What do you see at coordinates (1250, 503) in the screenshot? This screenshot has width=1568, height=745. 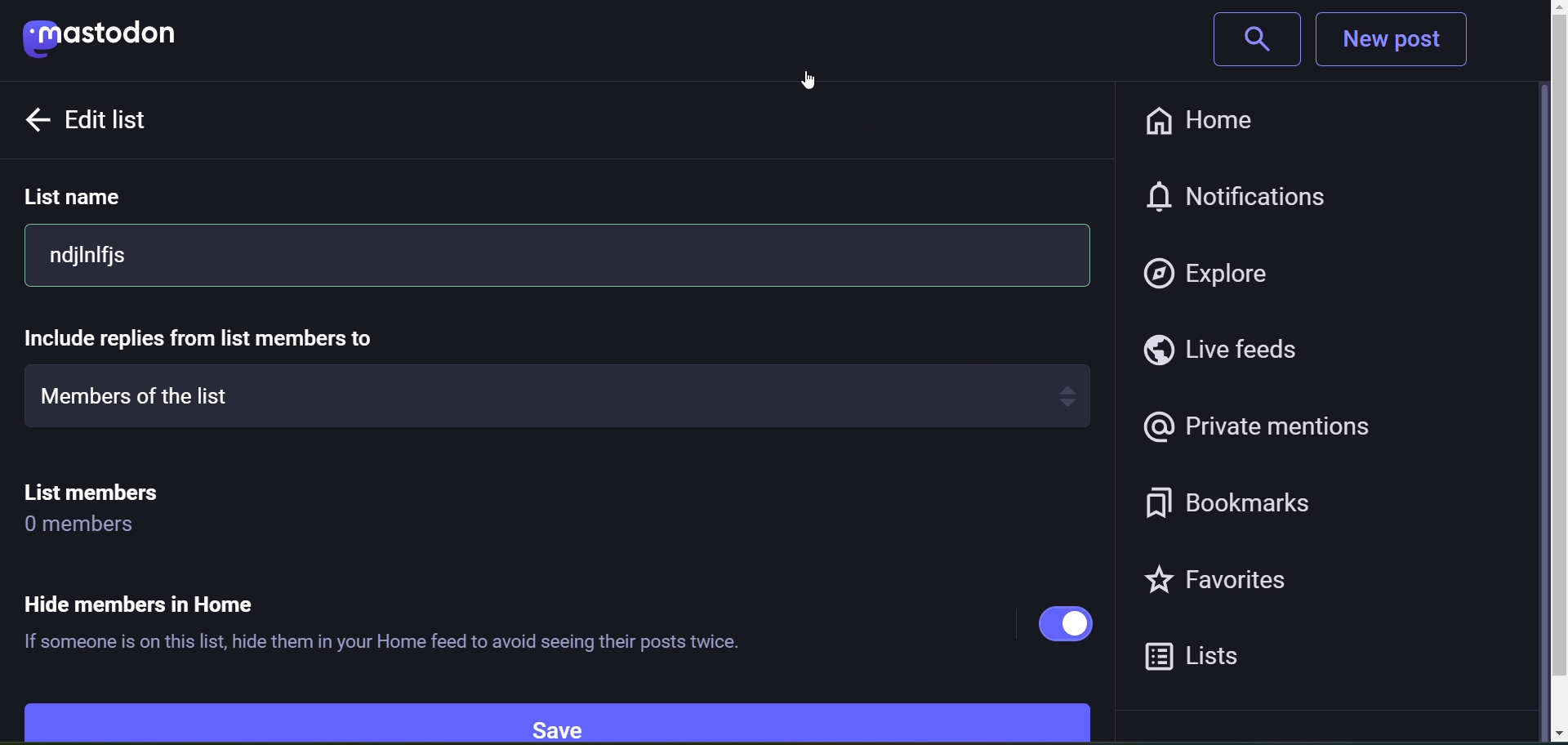 I see `bookmarks` at bounding box center [1250, 503].